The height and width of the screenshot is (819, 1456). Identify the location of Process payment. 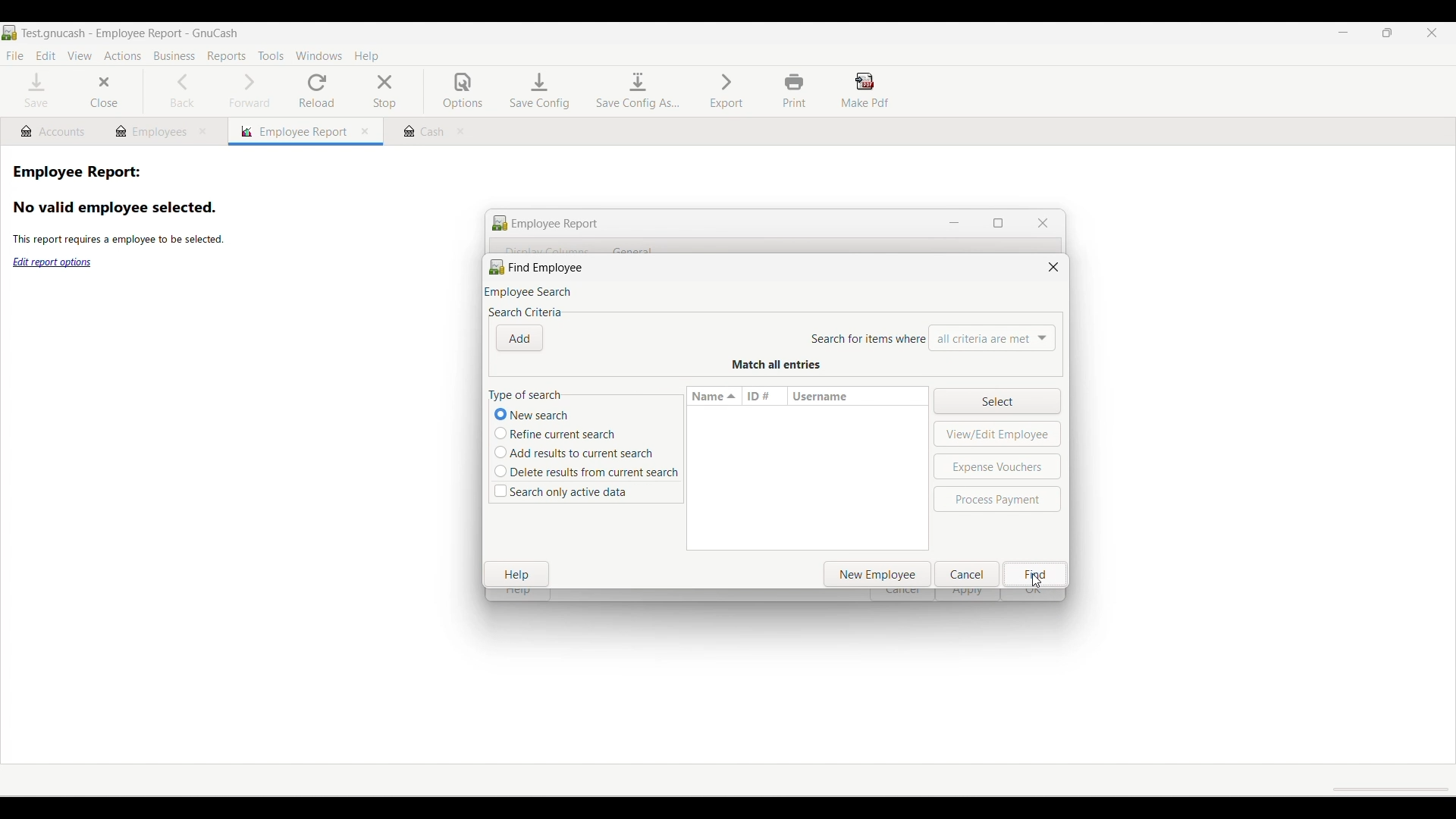
(997, 499).